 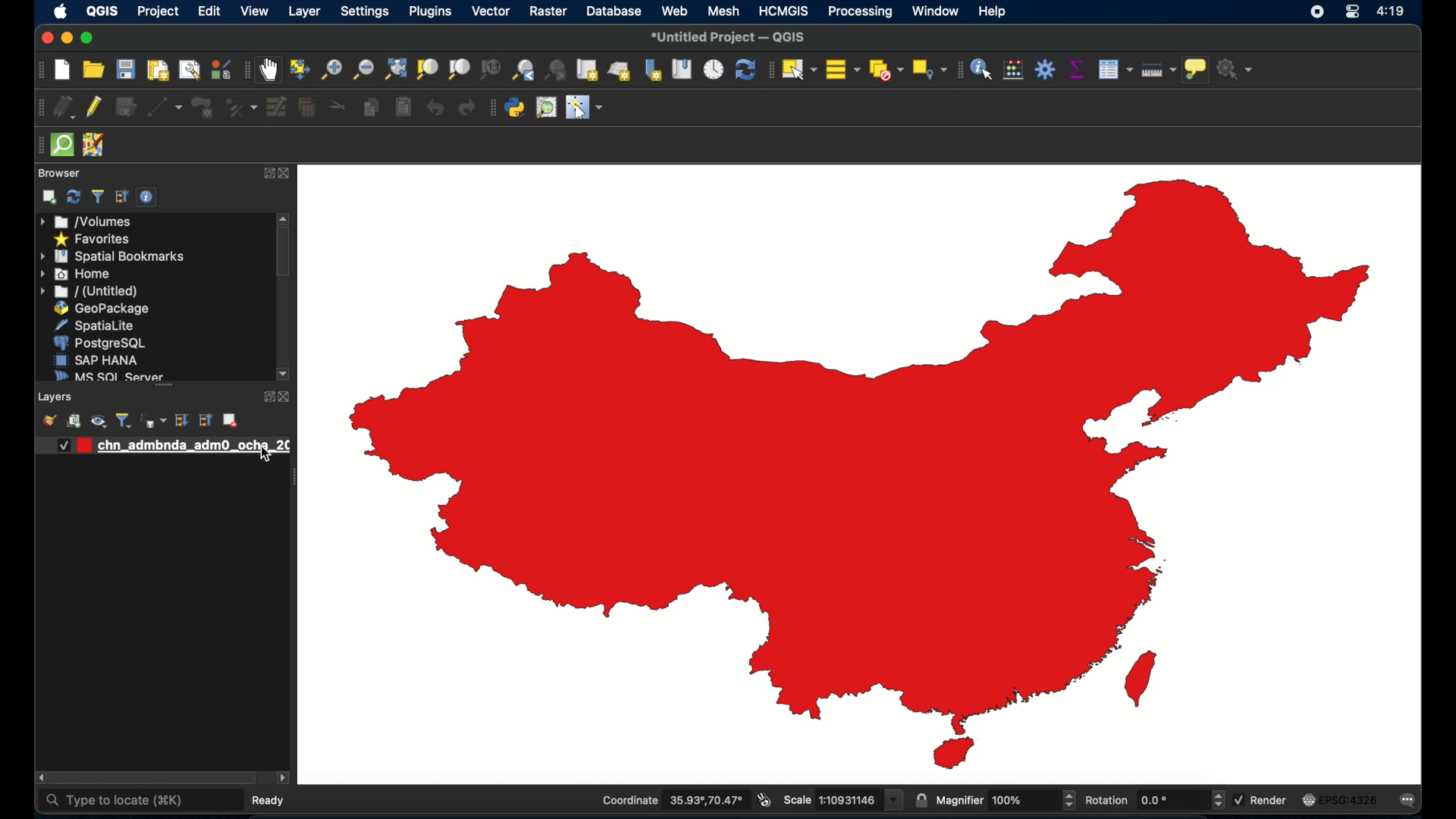 What do you see at coordinates (996, 801) in the screenshot?
I see `magnifier` at bounding box center [996, 801].